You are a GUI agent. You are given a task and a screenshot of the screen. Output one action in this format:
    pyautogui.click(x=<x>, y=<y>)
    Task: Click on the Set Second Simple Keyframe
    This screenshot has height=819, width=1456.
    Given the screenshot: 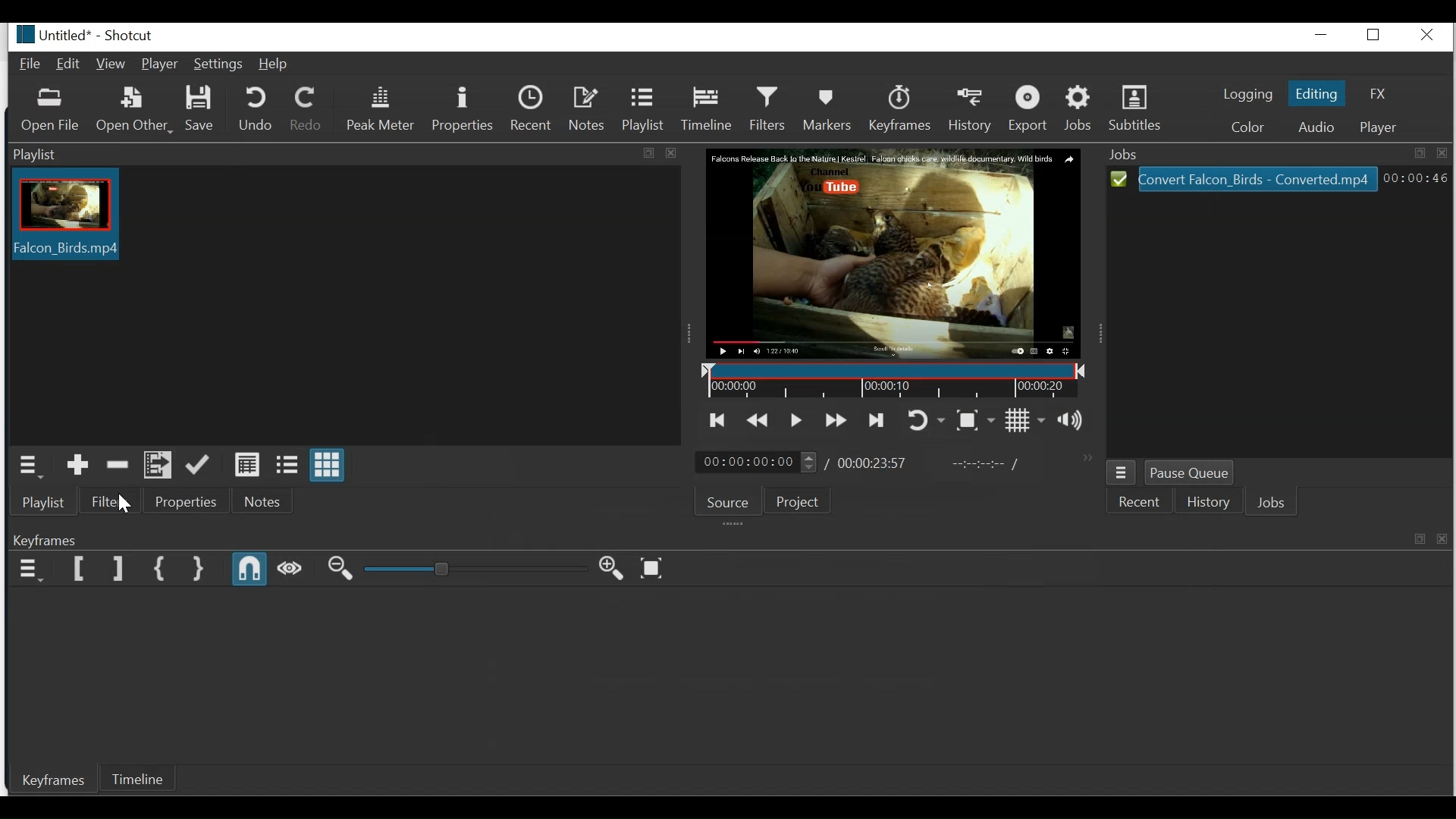 What is the action you would take?
    pyautogui.click(x=199, y=570)
    